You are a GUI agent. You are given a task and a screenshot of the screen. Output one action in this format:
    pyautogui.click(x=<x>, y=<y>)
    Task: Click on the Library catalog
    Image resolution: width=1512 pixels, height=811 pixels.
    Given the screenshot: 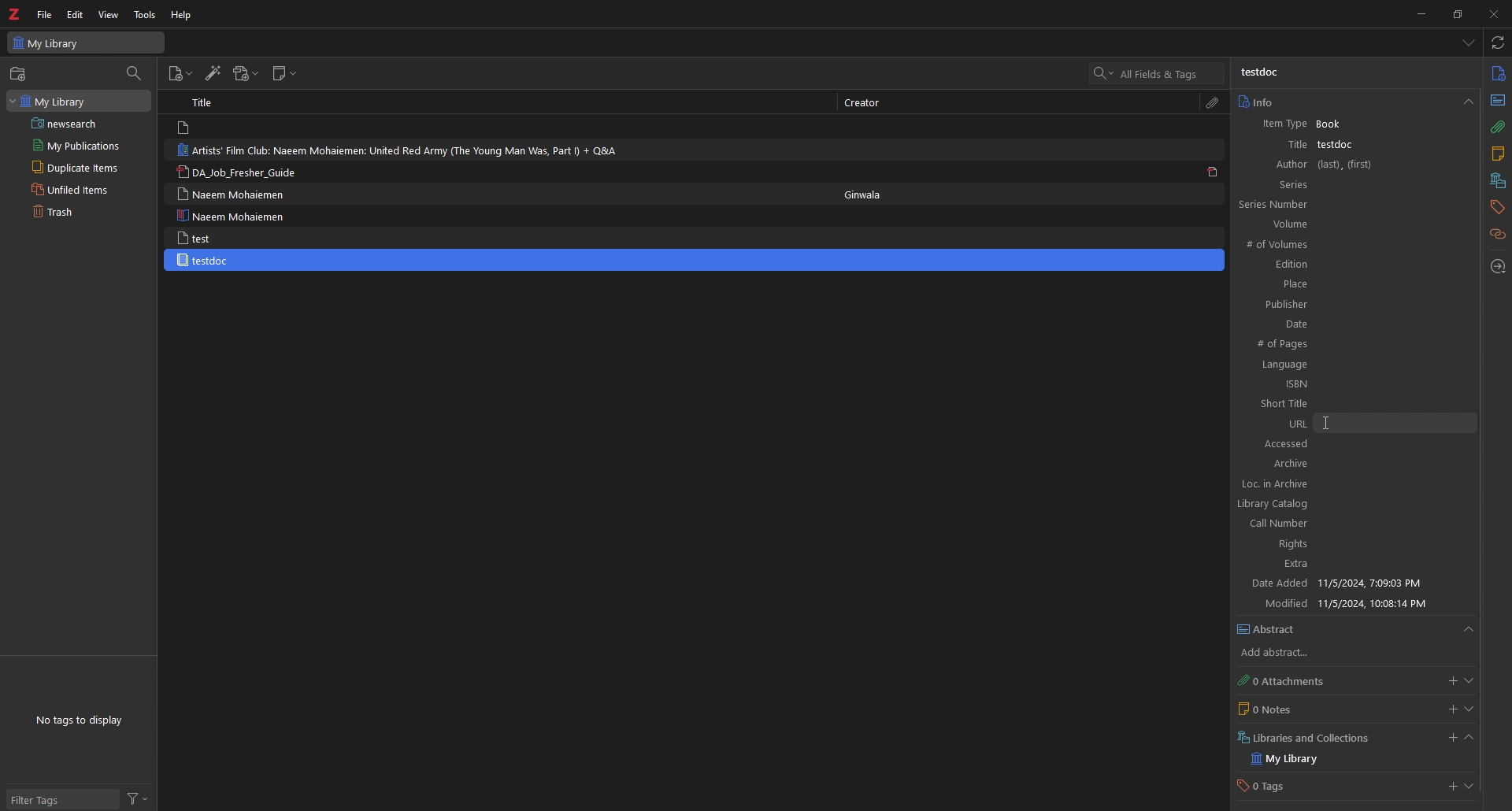 What is the action you would take?
    pyautogui.click(x=1345, y=505)
    